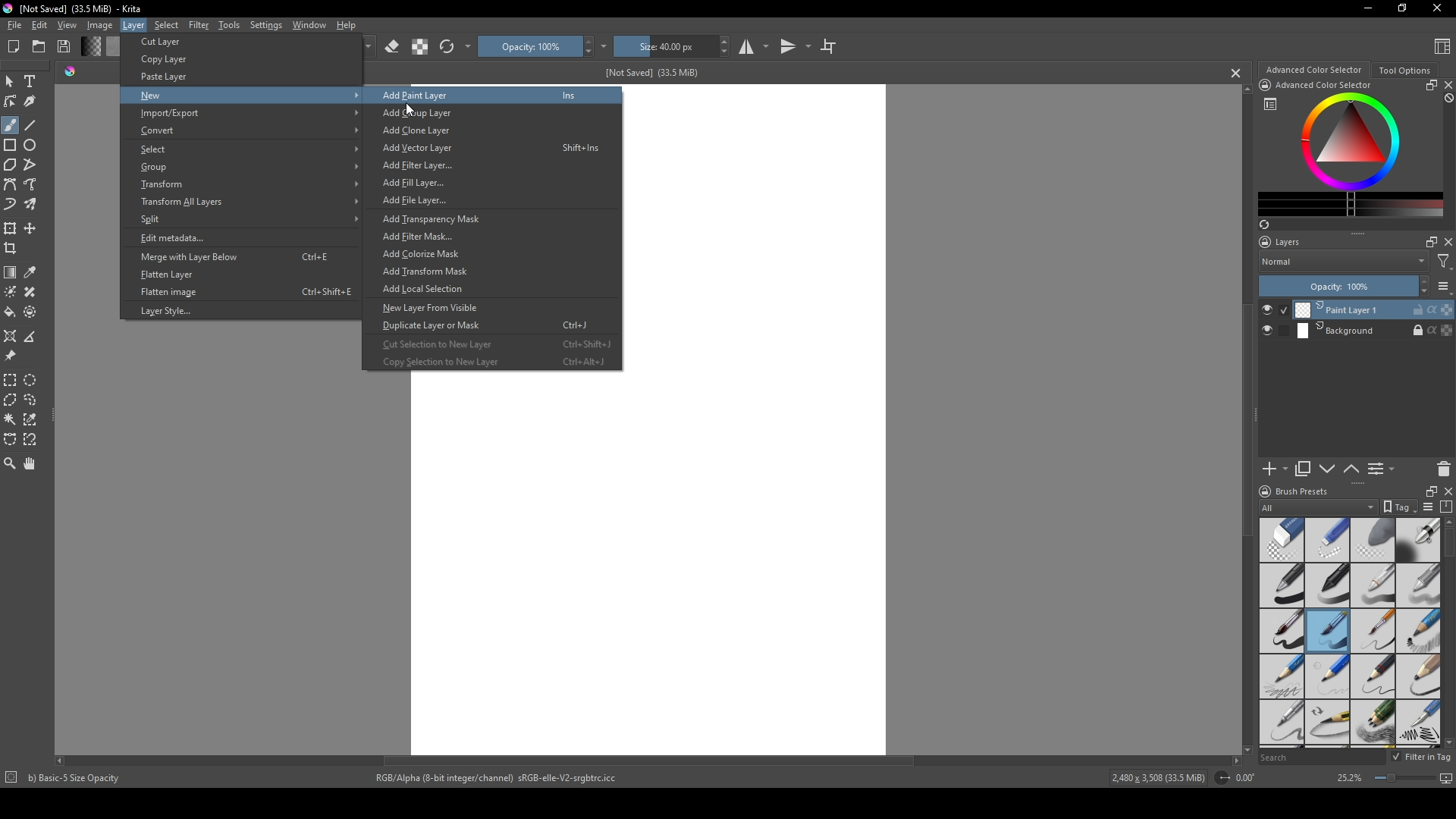 The height and width of the screenshot is (819, 1456). I want to click on pencil, so click(1419, 676).